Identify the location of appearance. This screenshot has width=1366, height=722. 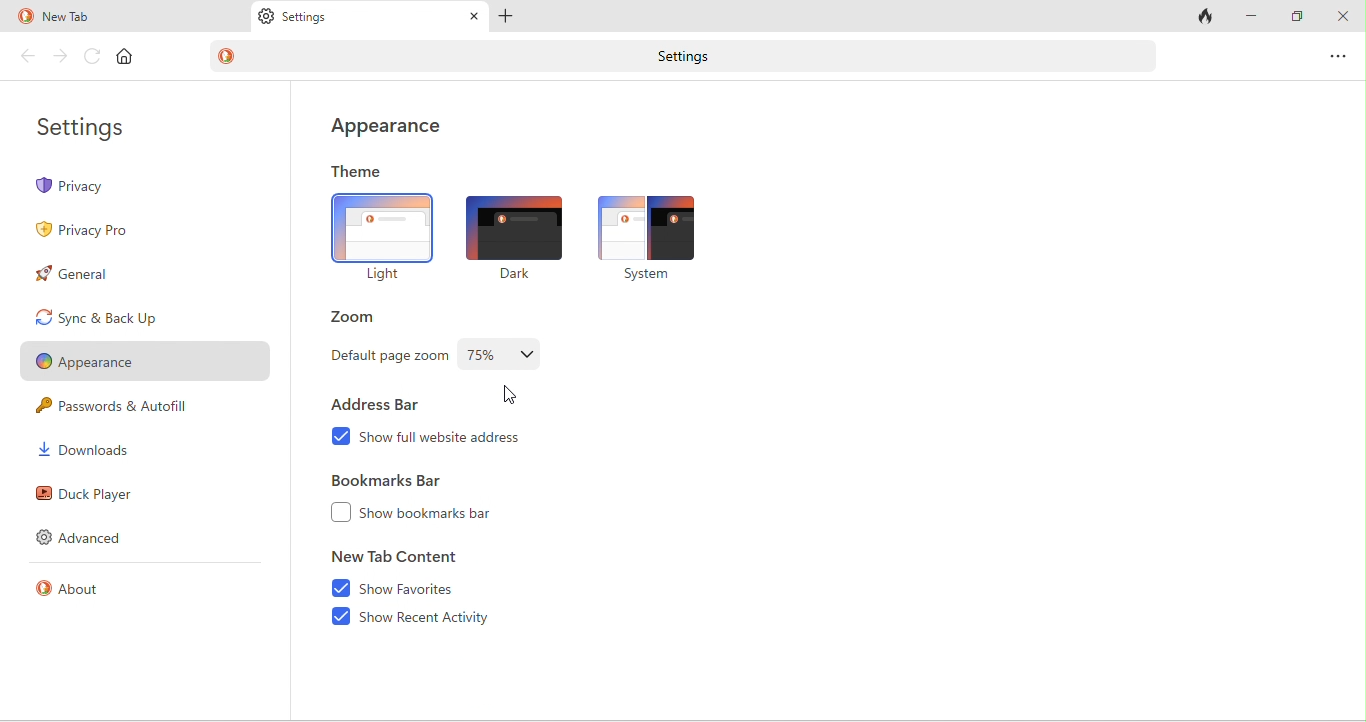
(395, 126).